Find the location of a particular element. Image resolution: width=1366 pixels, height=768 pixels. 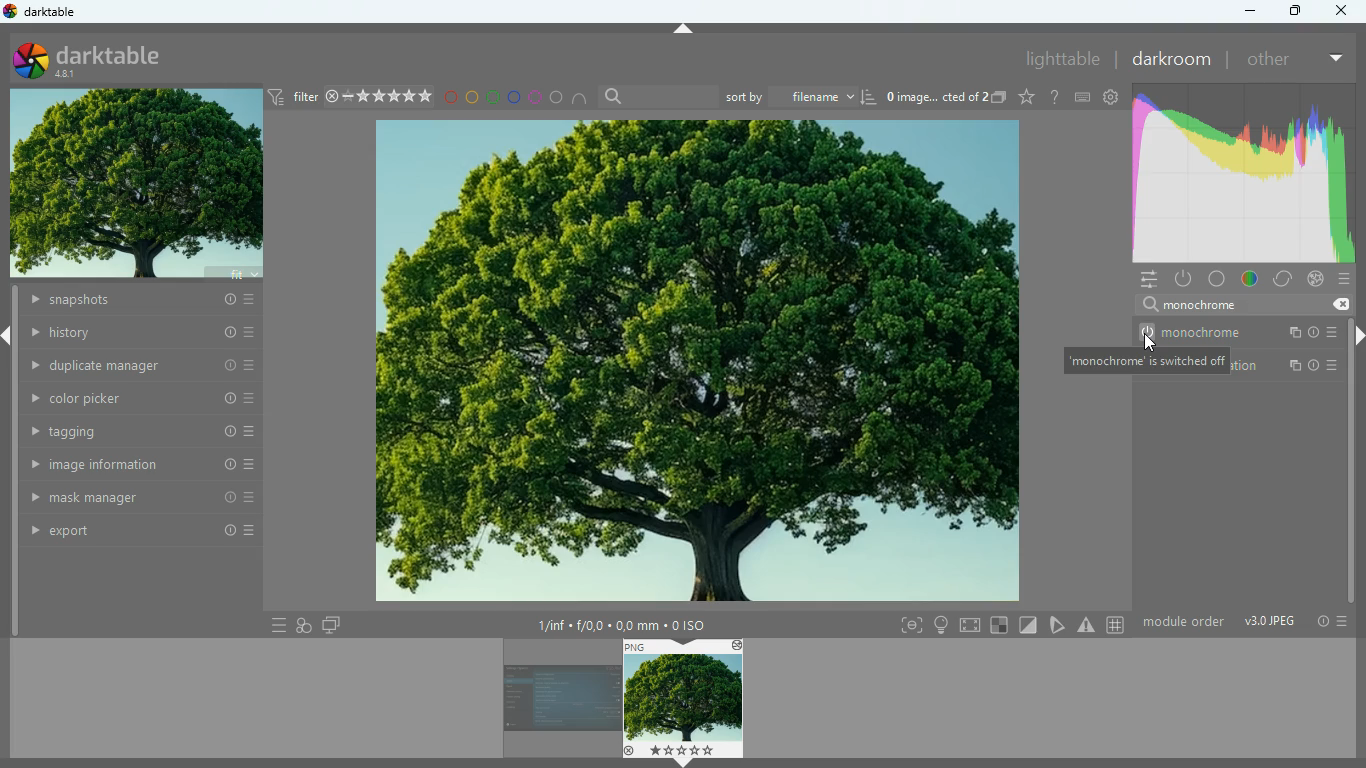

blue is located at coordinates (517, 99).